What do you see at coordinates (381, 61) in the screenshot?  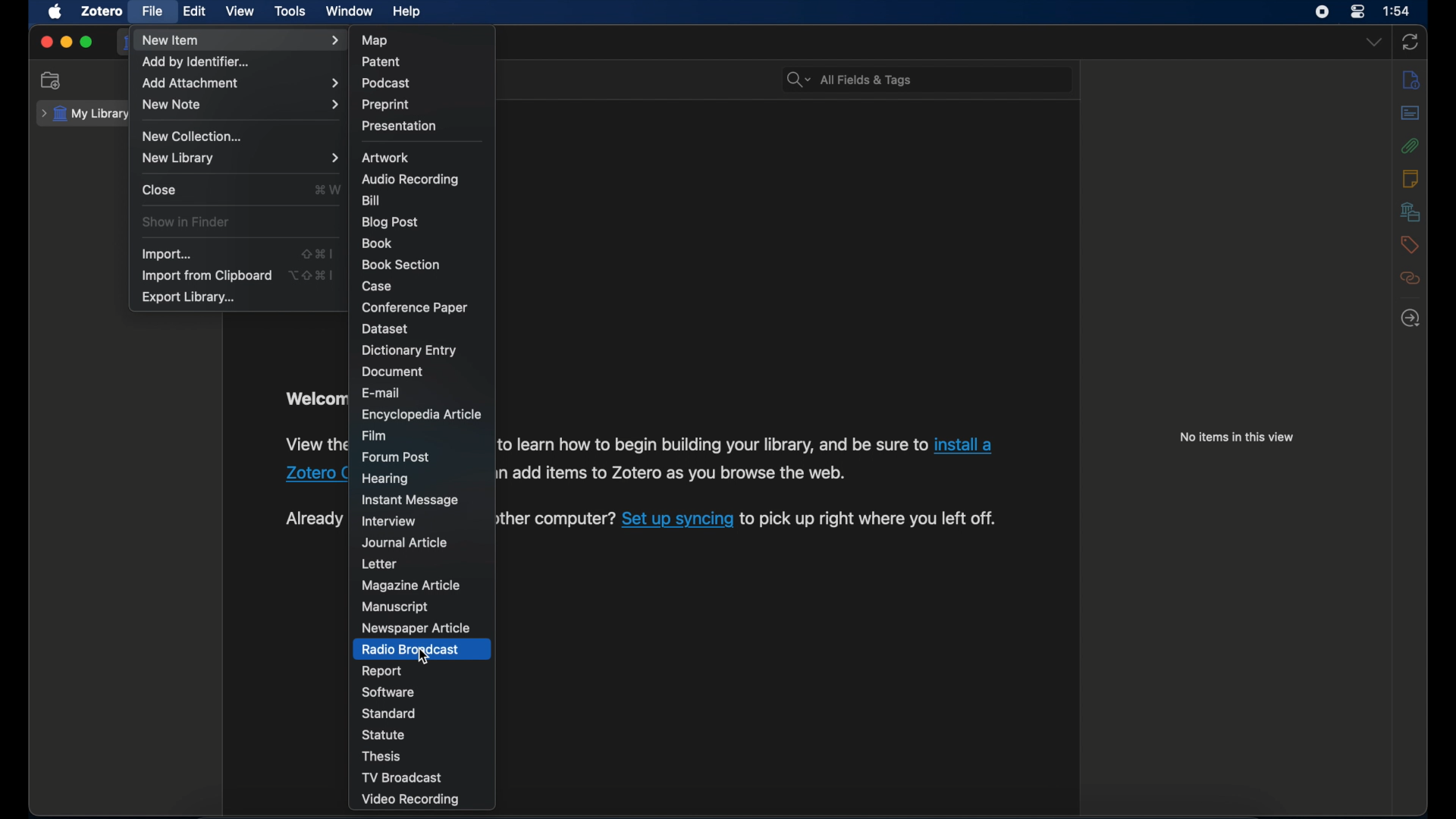 I see `patent` at bounding box center [381, 61].